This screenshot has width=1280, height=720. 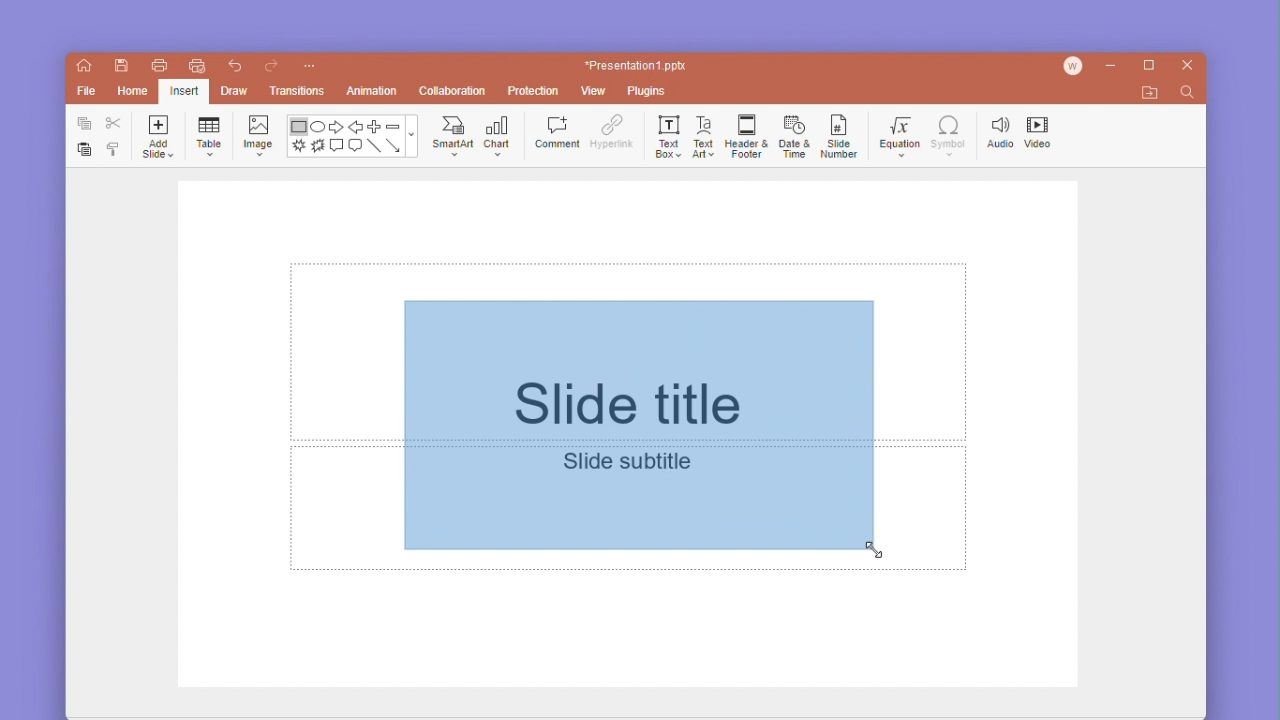 What do you see at coordinates (233, 65) in the screenshot?
I see `undo` at bounding box center [233, 65].